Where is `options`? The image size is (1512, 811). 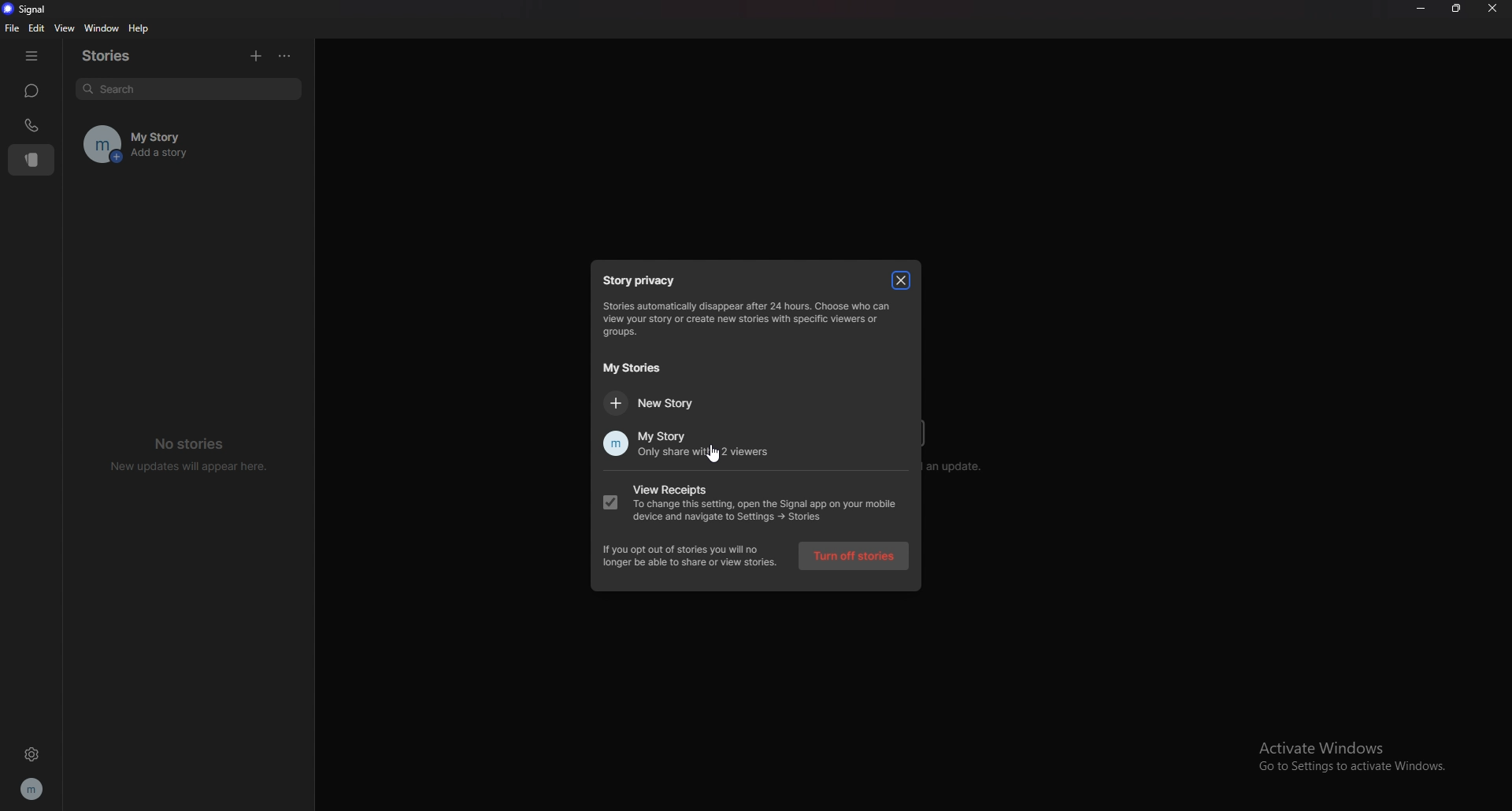
options is located at coordinates (284, 56).